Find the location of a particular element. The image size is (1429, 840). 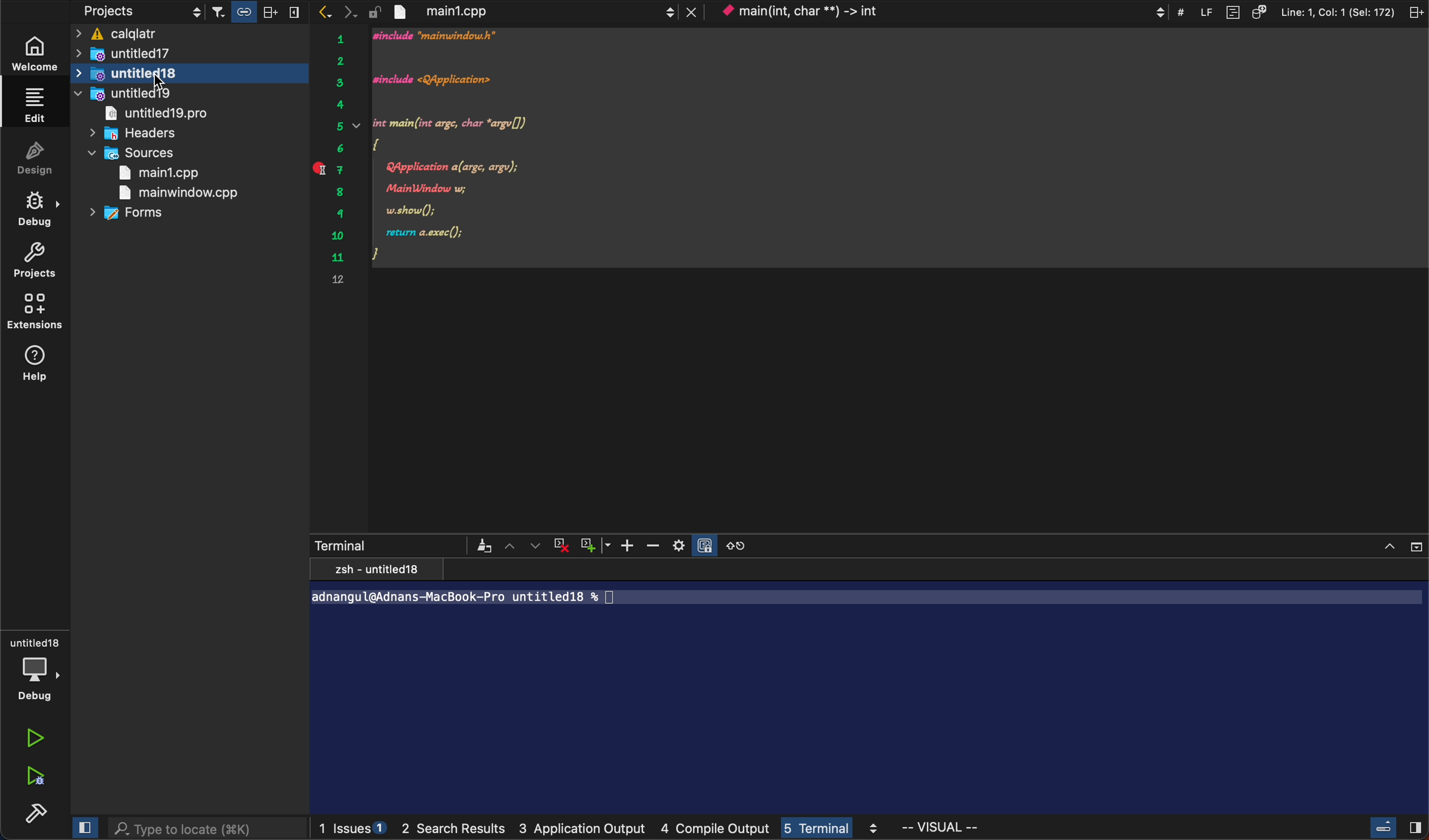

split is located at coordinates (1415, 12).